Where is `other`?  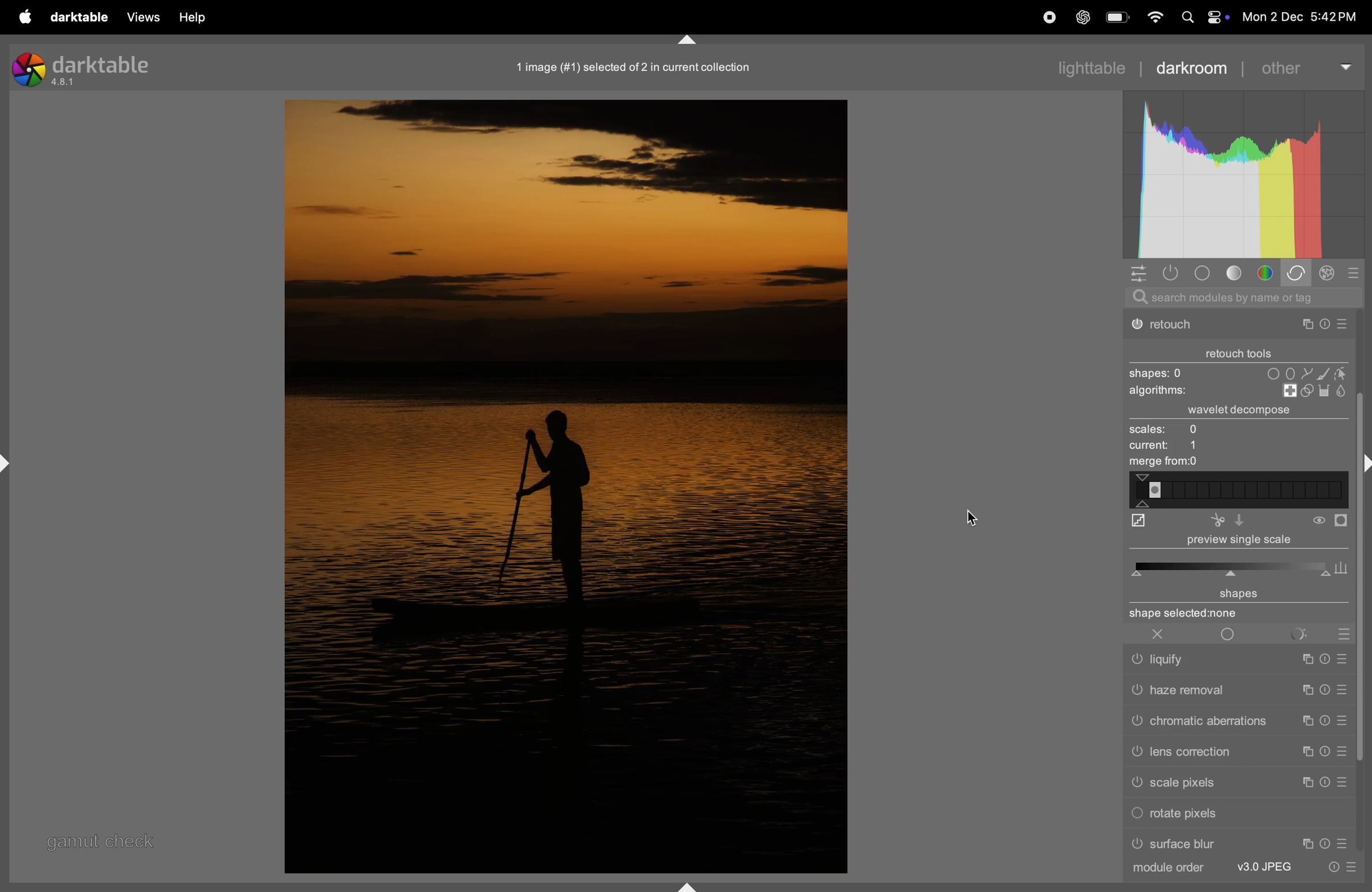
other is located at coordinates (1305, 67).